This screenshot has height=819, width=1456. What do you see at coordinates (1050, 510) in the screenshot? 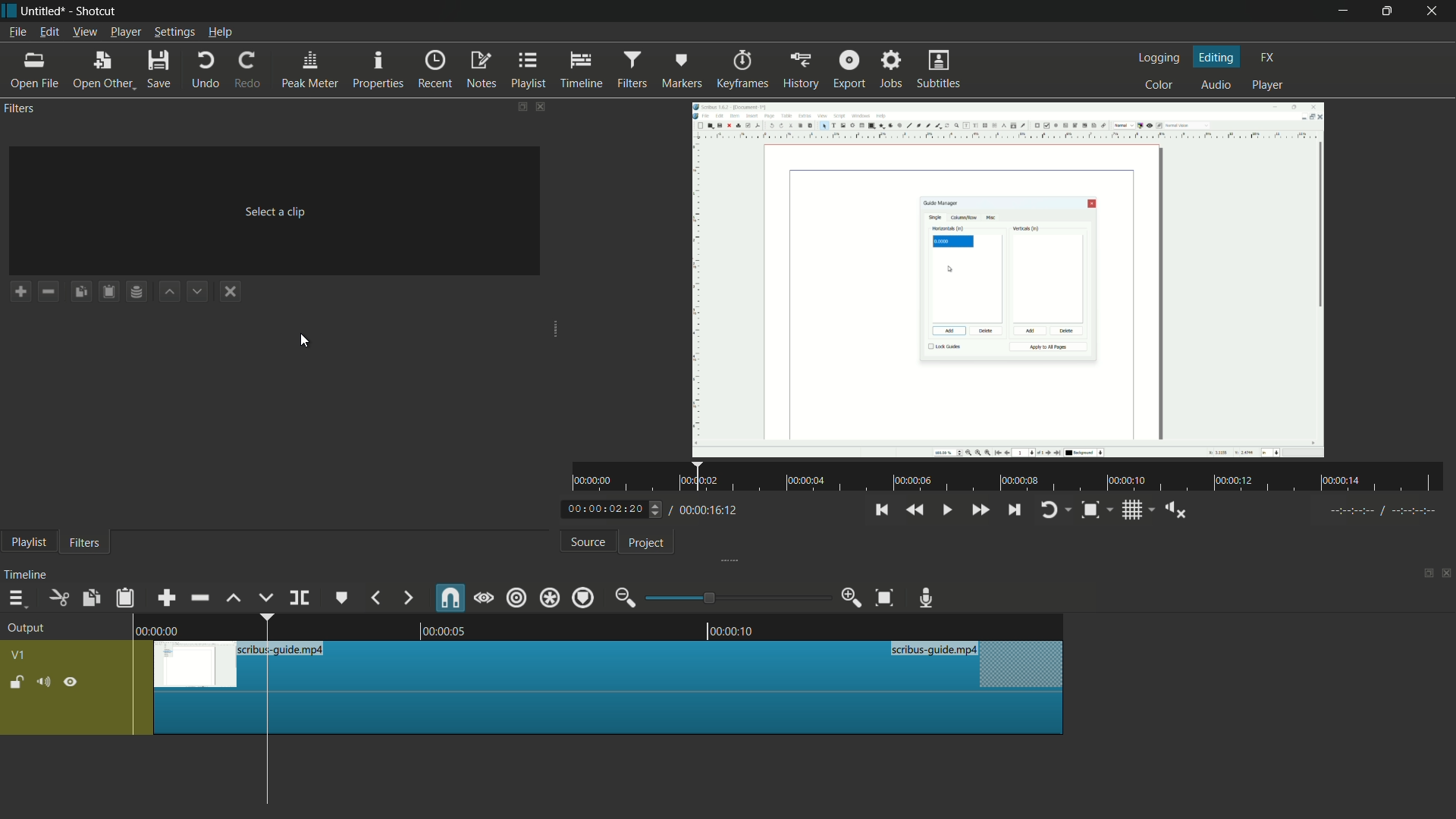
I see `toggle player looping` at bounding box center [1050, 510].